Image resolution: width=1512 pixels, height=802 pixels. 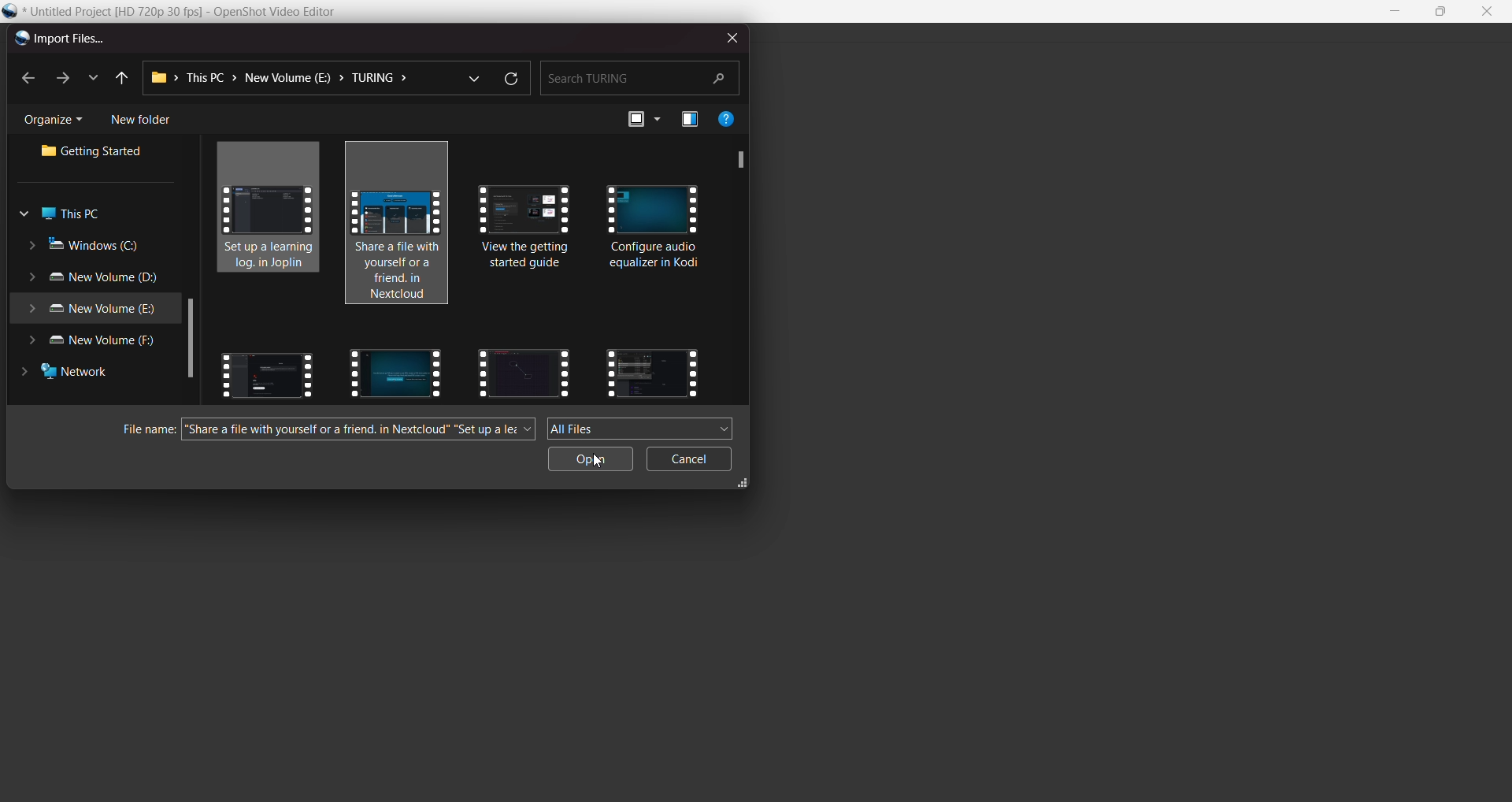 I want to click on dropdown, so click(x=472, y=76).